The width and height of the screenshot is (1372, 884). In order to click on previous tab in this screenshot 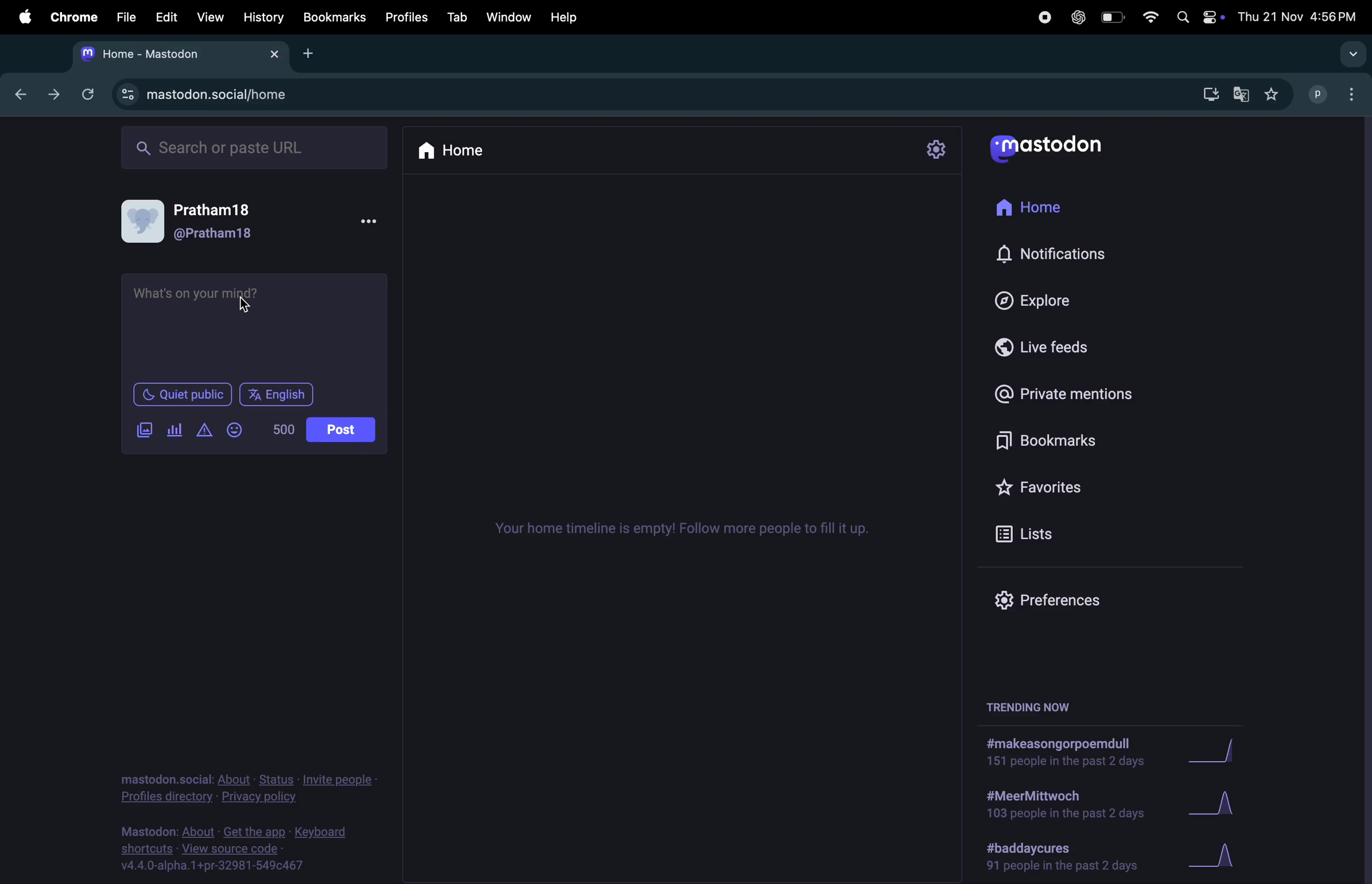, I will do `click(24, 94)`.